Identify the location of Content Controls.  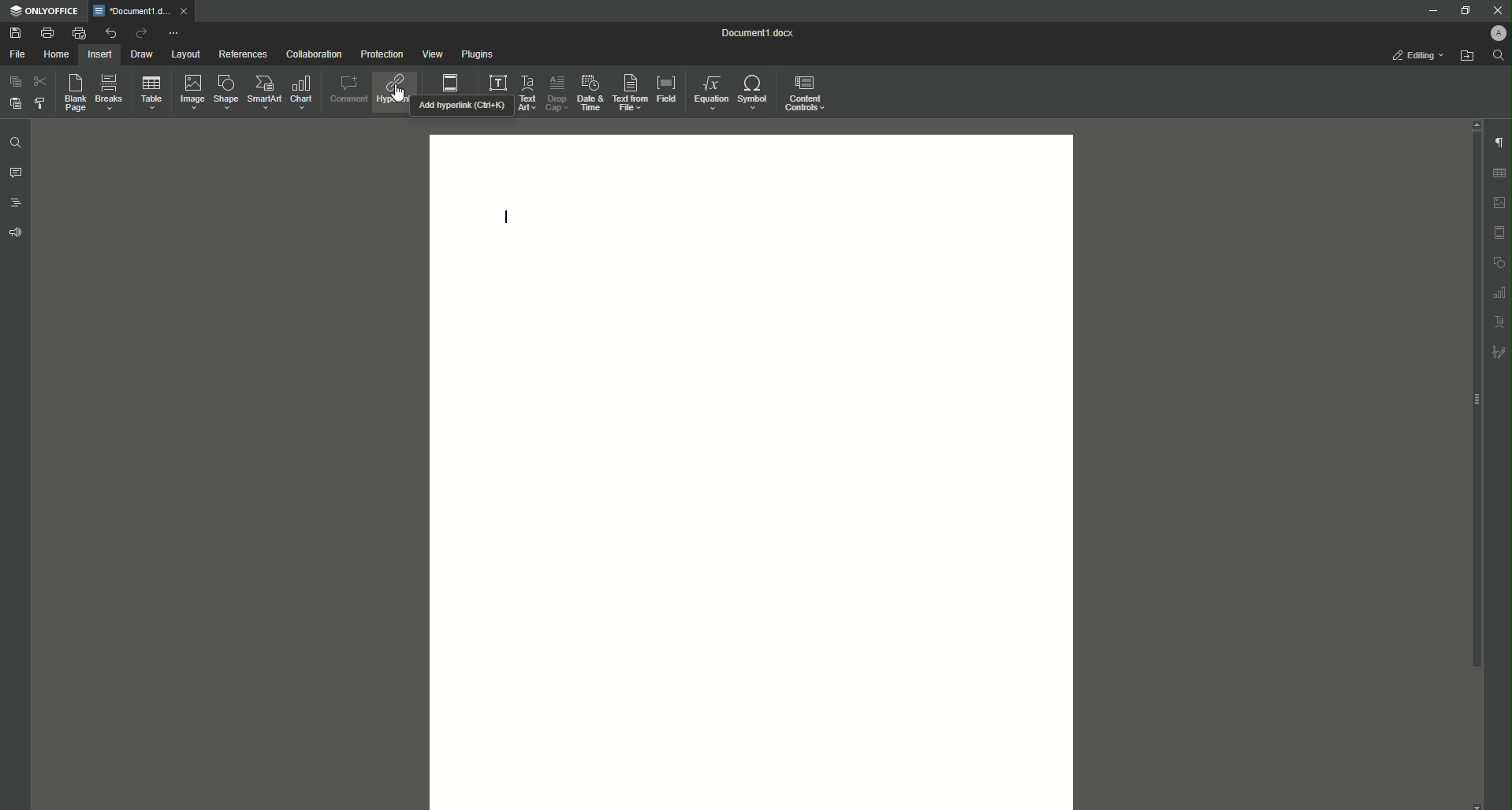
(808, 93).